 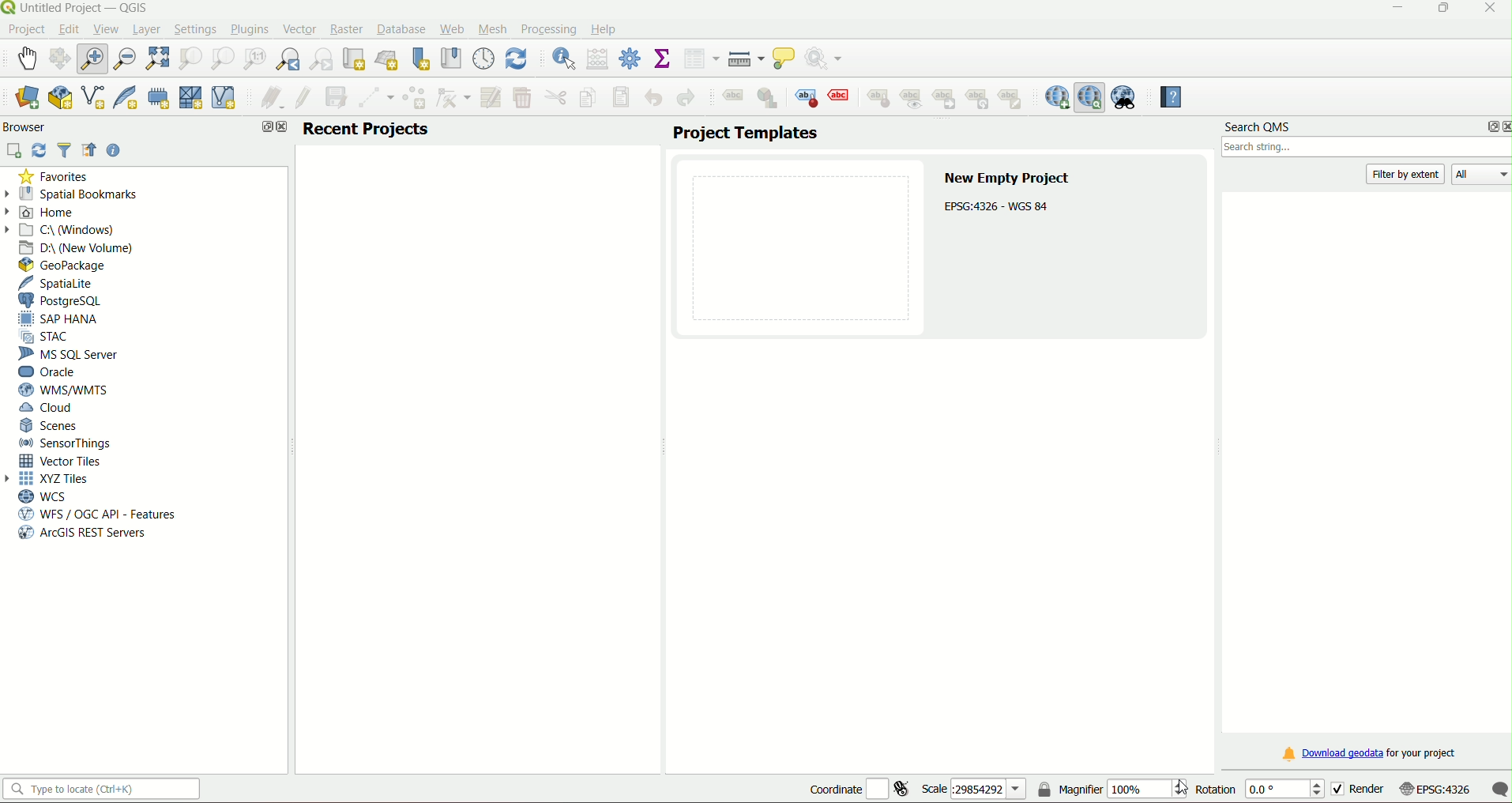 I want to click on paste features, so click(x=620, y=97).